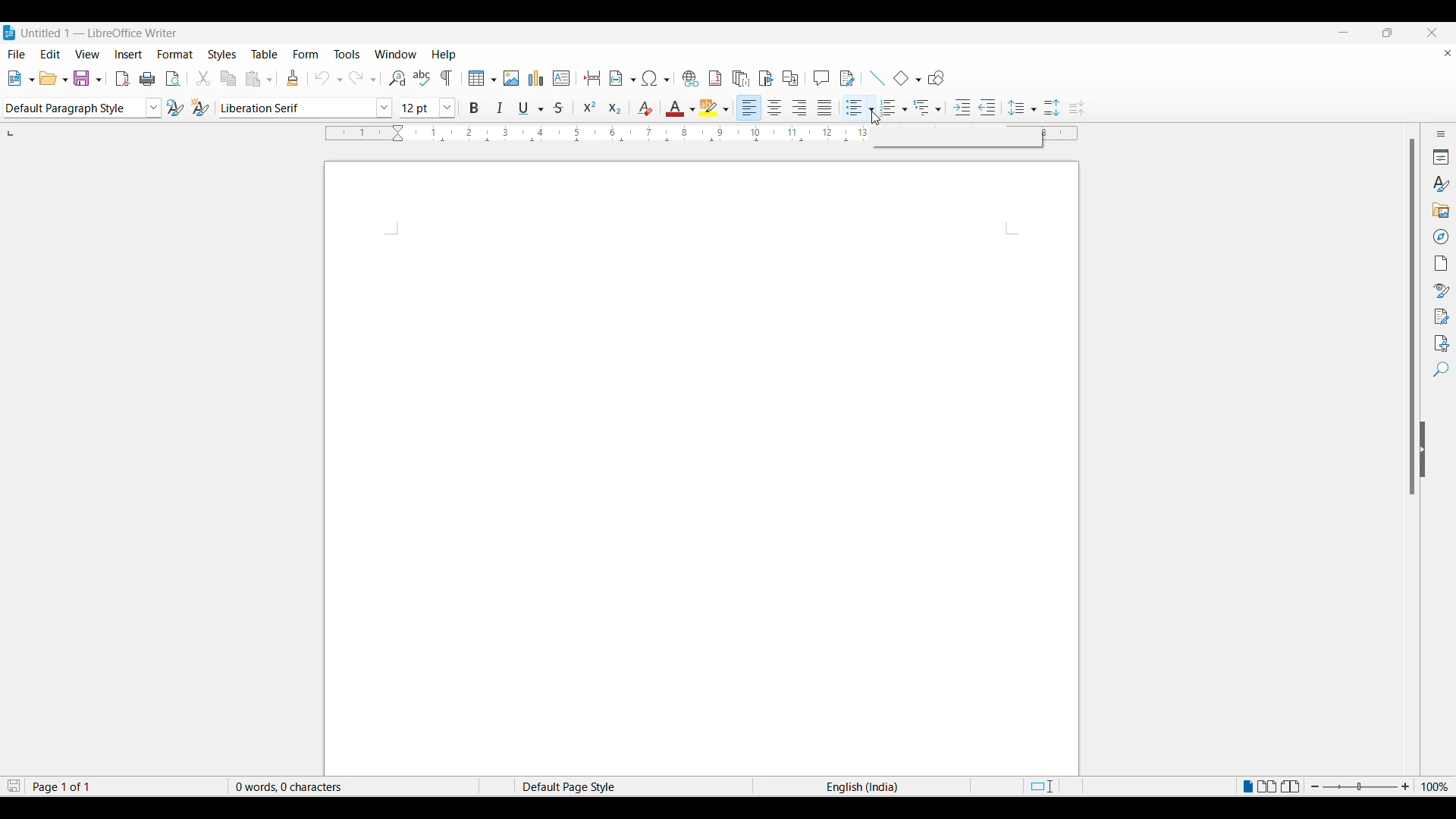 Image resolution: width=1456 pixels, height=819 pixels. I want to click on align right, so click(803, 107).